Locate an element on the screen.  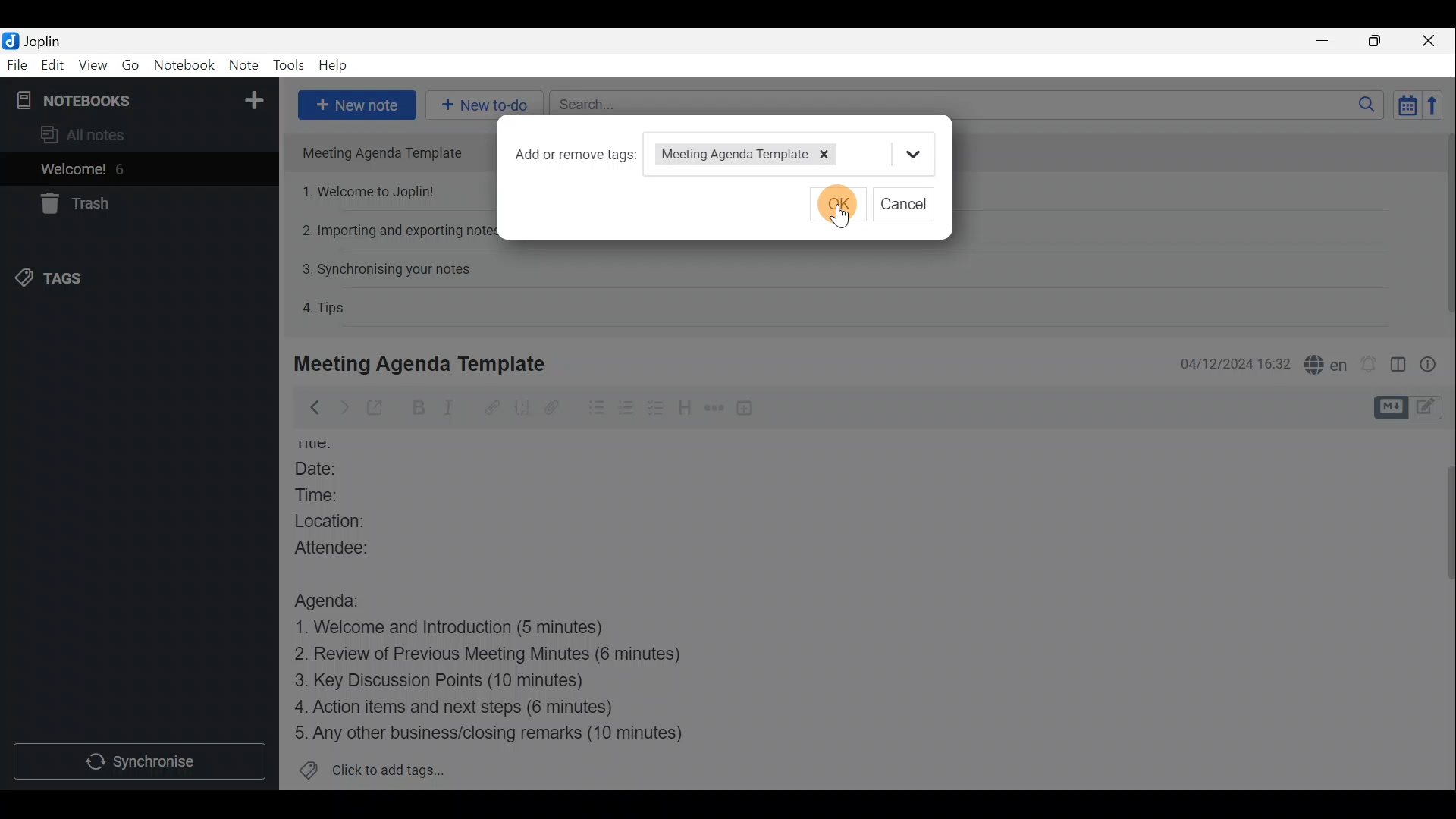
Heading is located at coordinates (683, 413).